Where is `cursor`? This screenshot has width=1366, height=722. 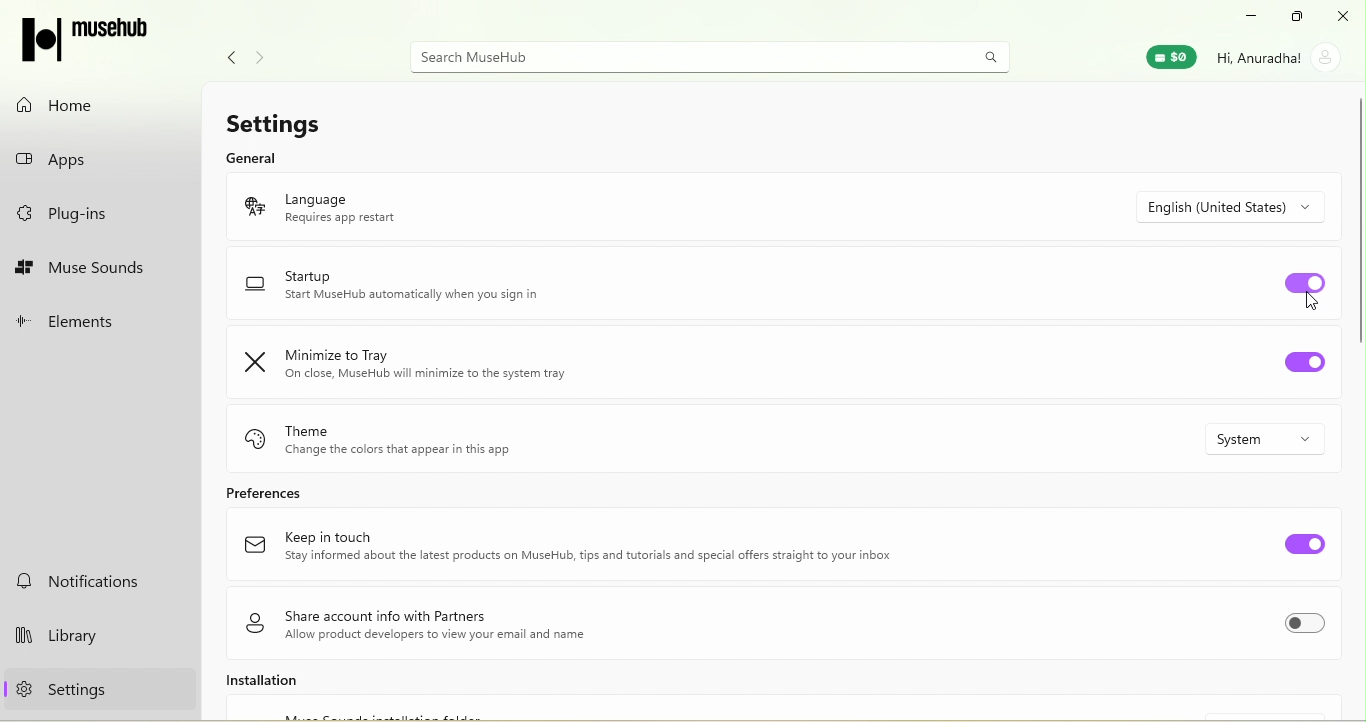
cursor is located at coordinates (1310, 301).